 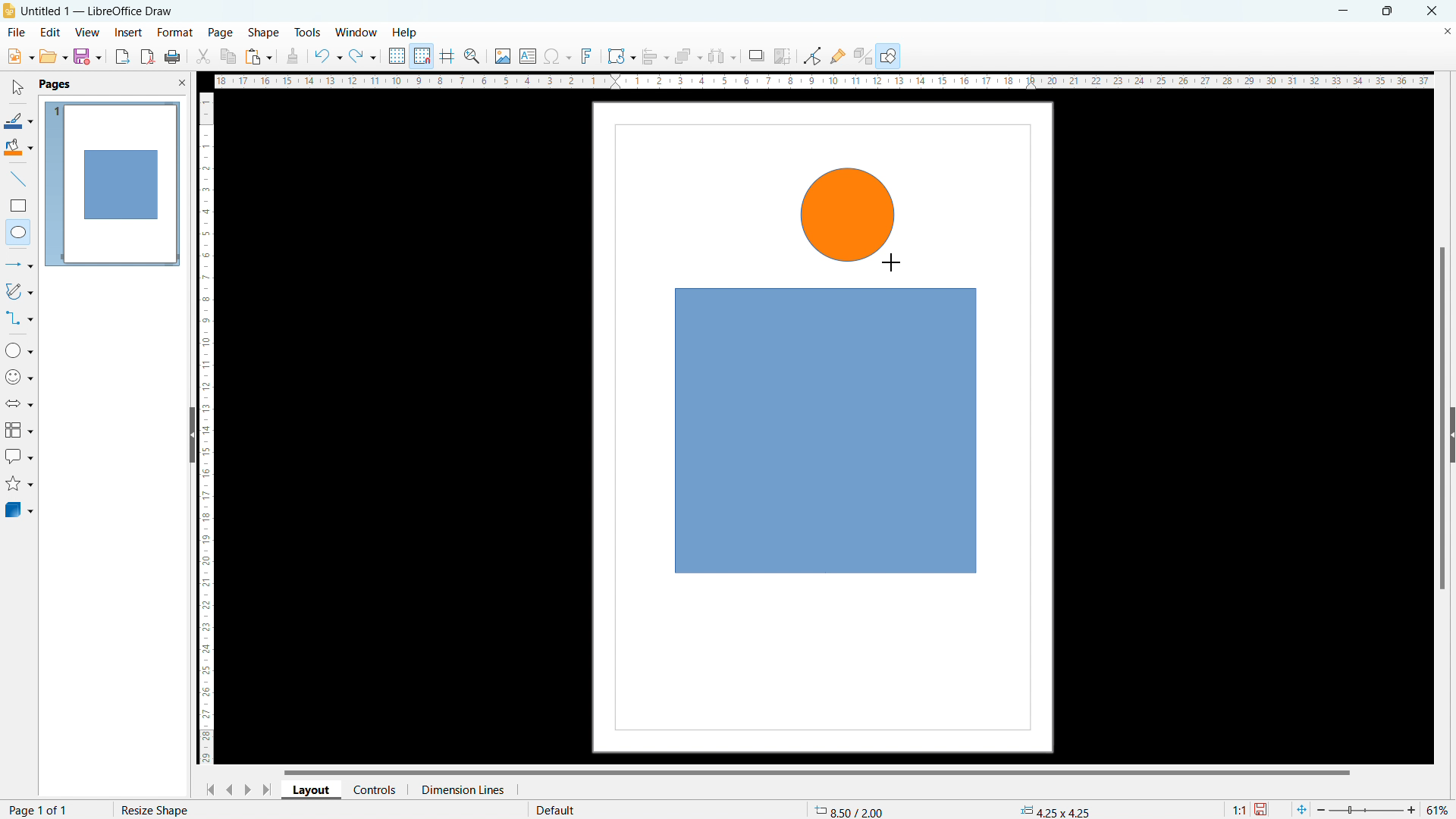 I want to click on action status, so click(x=152, y=809).